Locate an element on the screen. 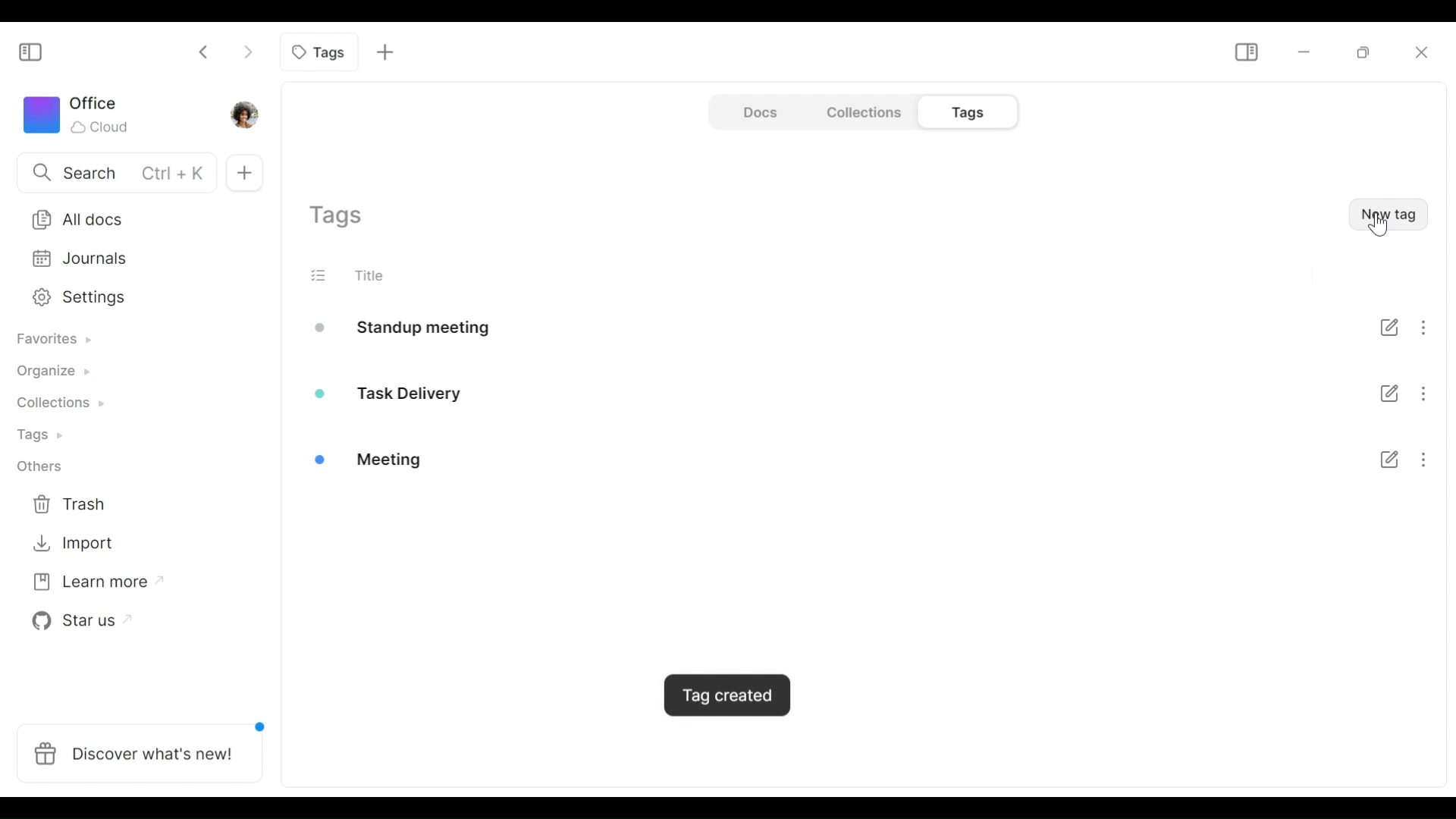 This screenshot has height=819, width=1456. Collections is located at coordinates (861, 113).